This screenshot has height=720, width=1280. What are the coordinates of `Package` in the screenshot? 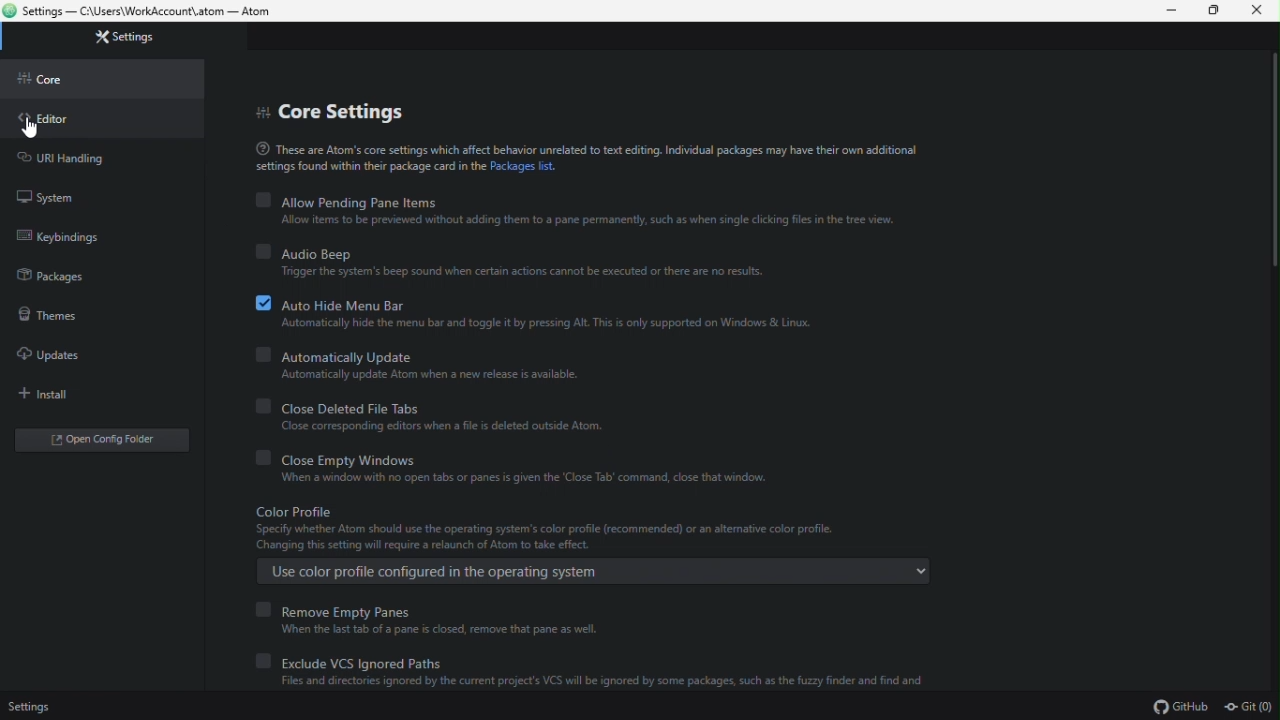 It's located at (71, 281).